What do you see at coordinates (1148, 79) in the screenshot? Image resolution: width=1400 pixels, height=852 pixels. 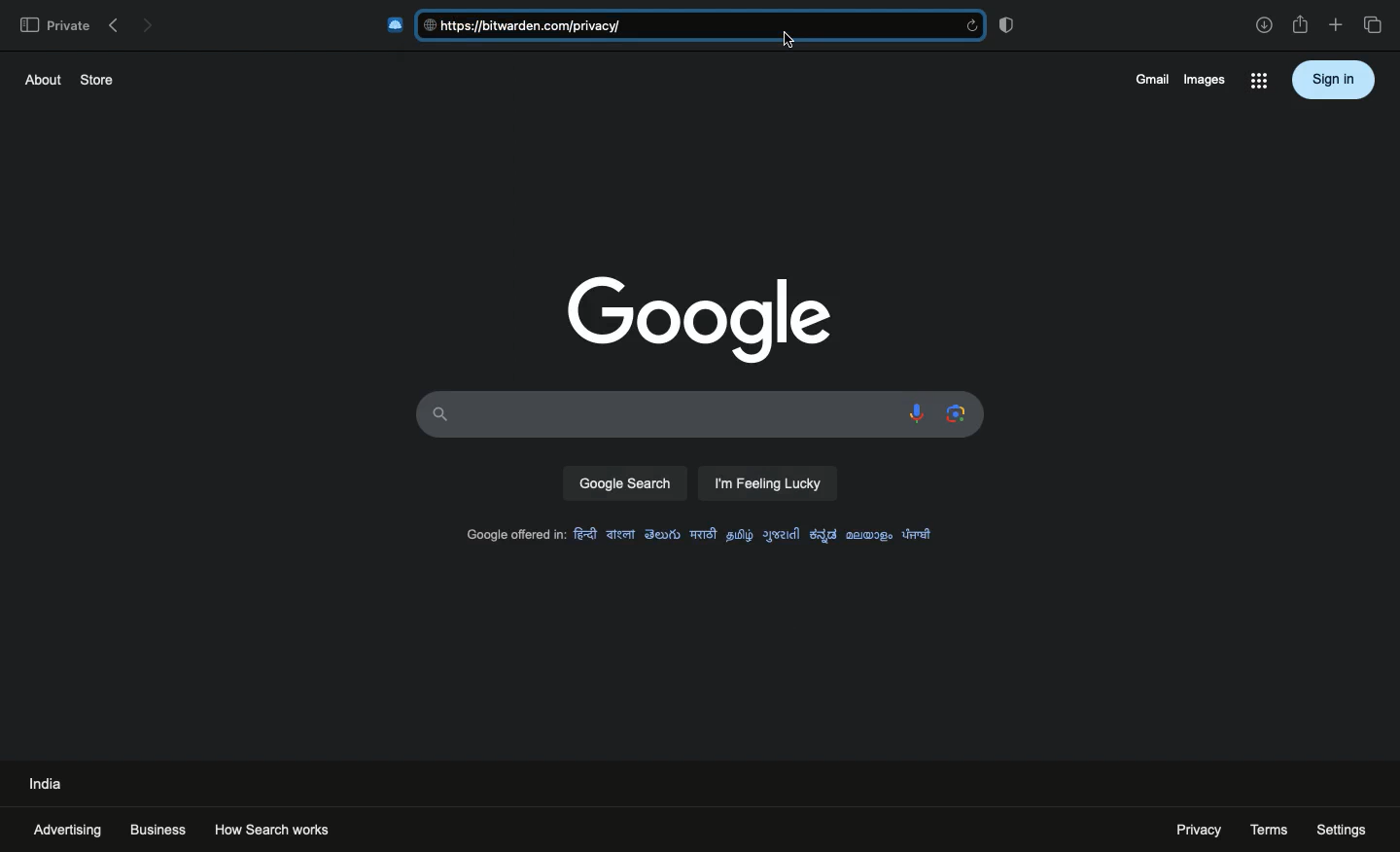 I see `gmail` at bounding box center [1148, 79].